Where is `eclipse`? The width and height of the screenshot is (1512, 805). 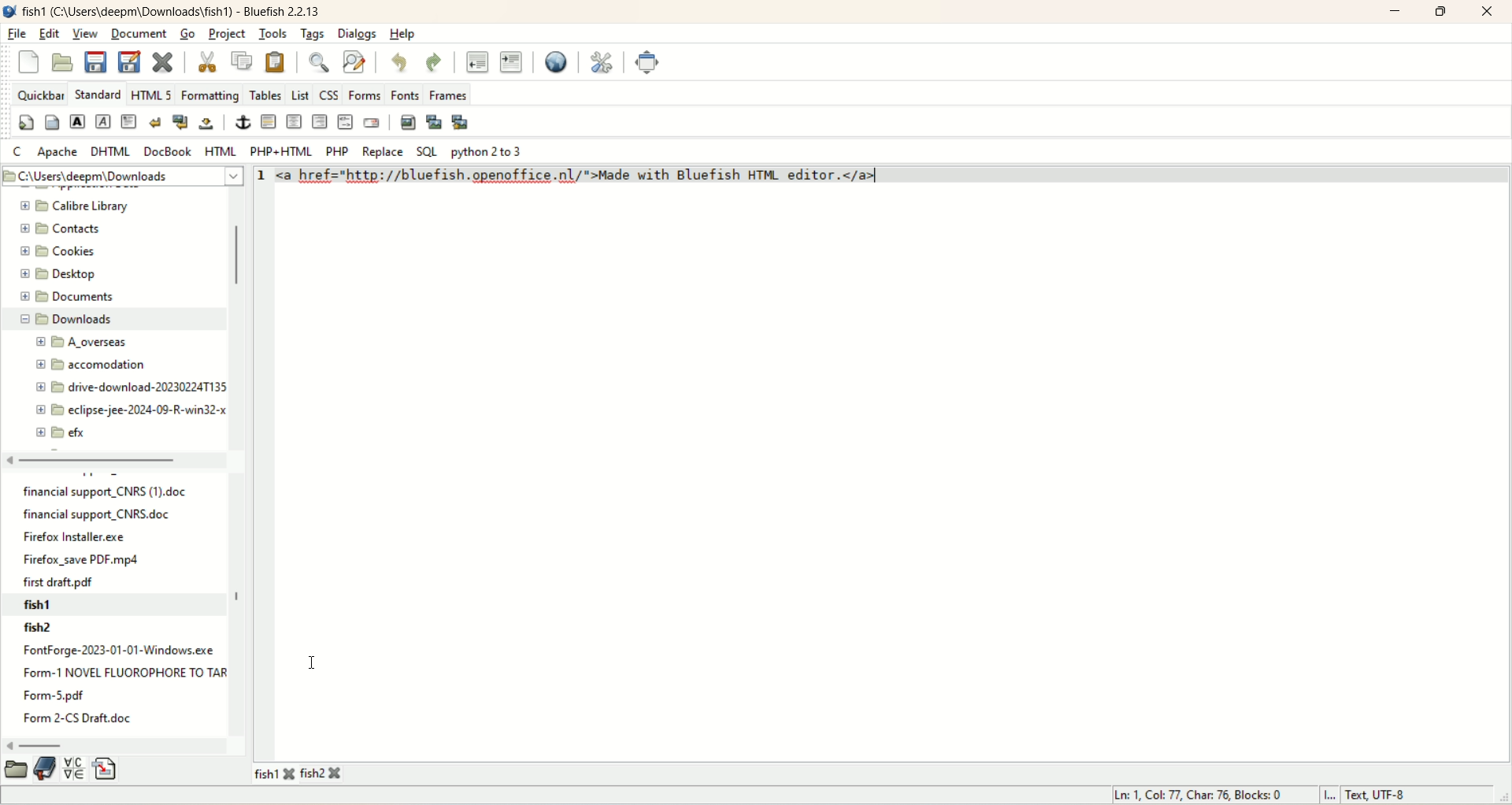 eclipse is located at coordinates (126, 410).